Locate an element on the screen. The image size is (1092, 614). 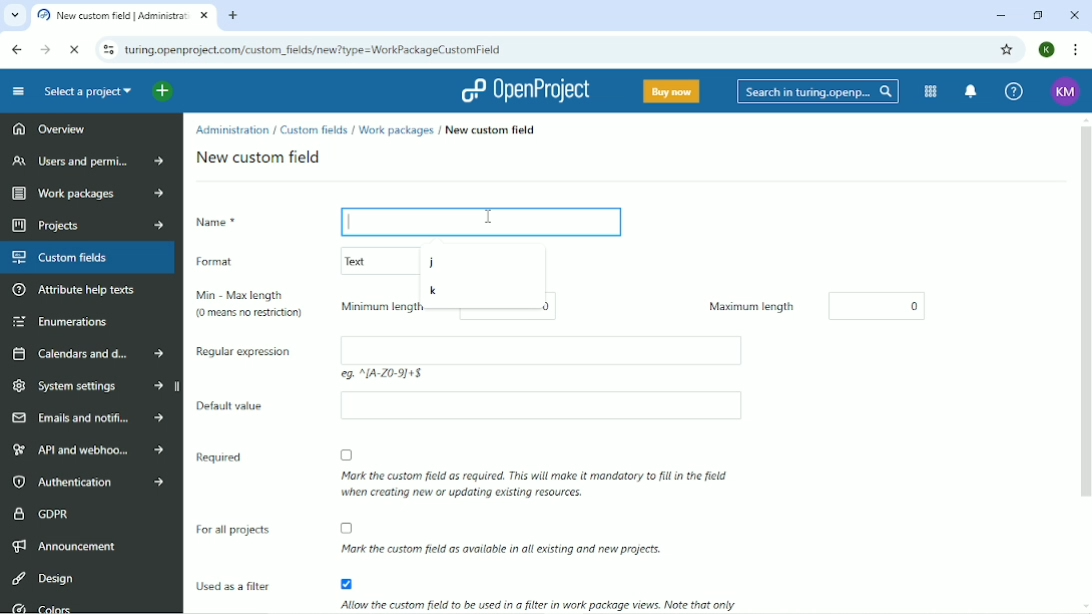
Format is located at coordinates (251, 262).